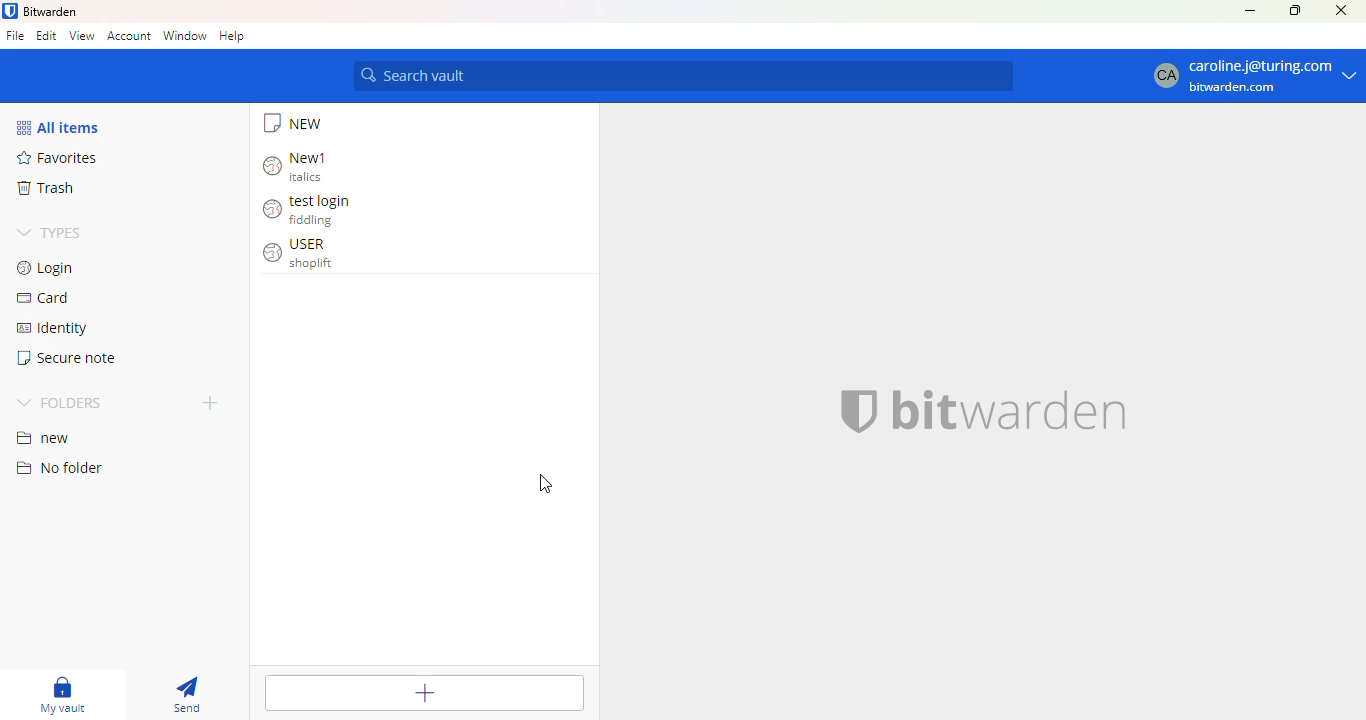 The height and width of the screenshot is (720, 1366). What do you see at coordinates (60, 694) in the screenshot?
I see `my vault` at bounding box center [60, 694].